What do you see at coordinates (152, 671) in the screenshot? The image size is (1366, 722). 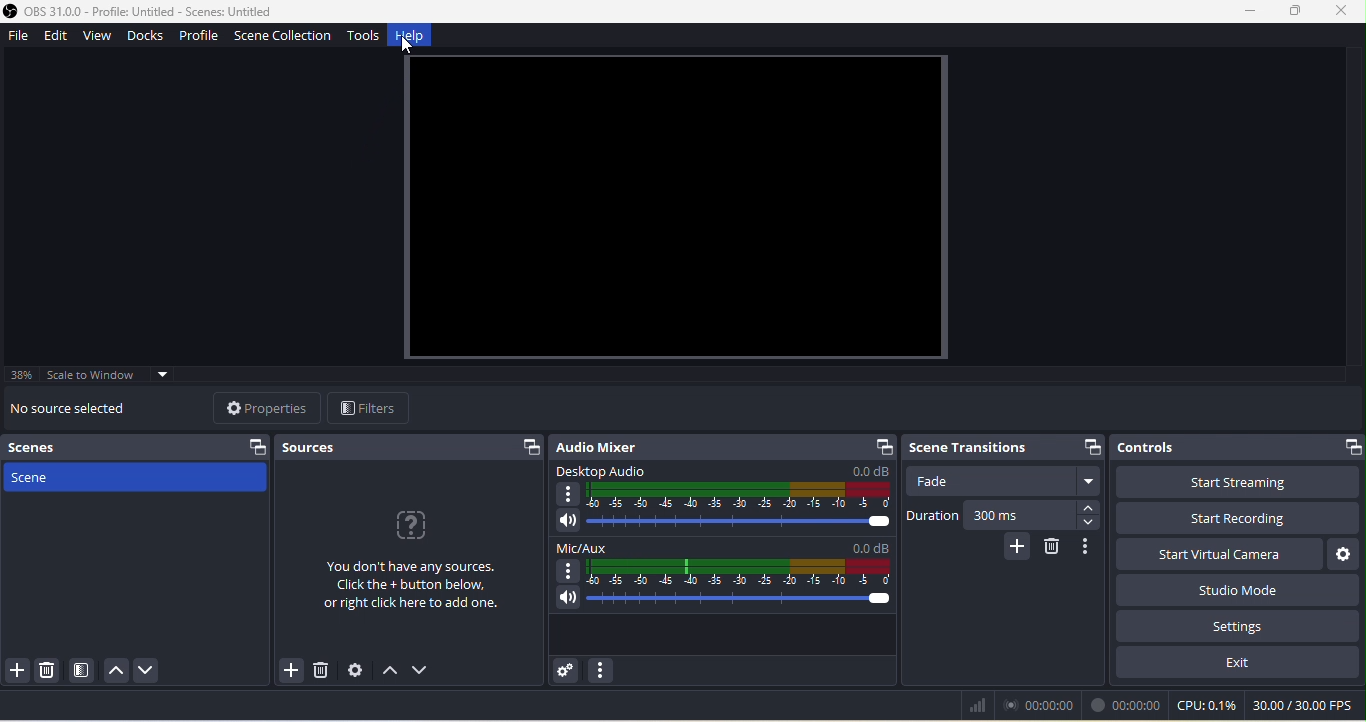 I see `down` at bounding box center [152, 671].